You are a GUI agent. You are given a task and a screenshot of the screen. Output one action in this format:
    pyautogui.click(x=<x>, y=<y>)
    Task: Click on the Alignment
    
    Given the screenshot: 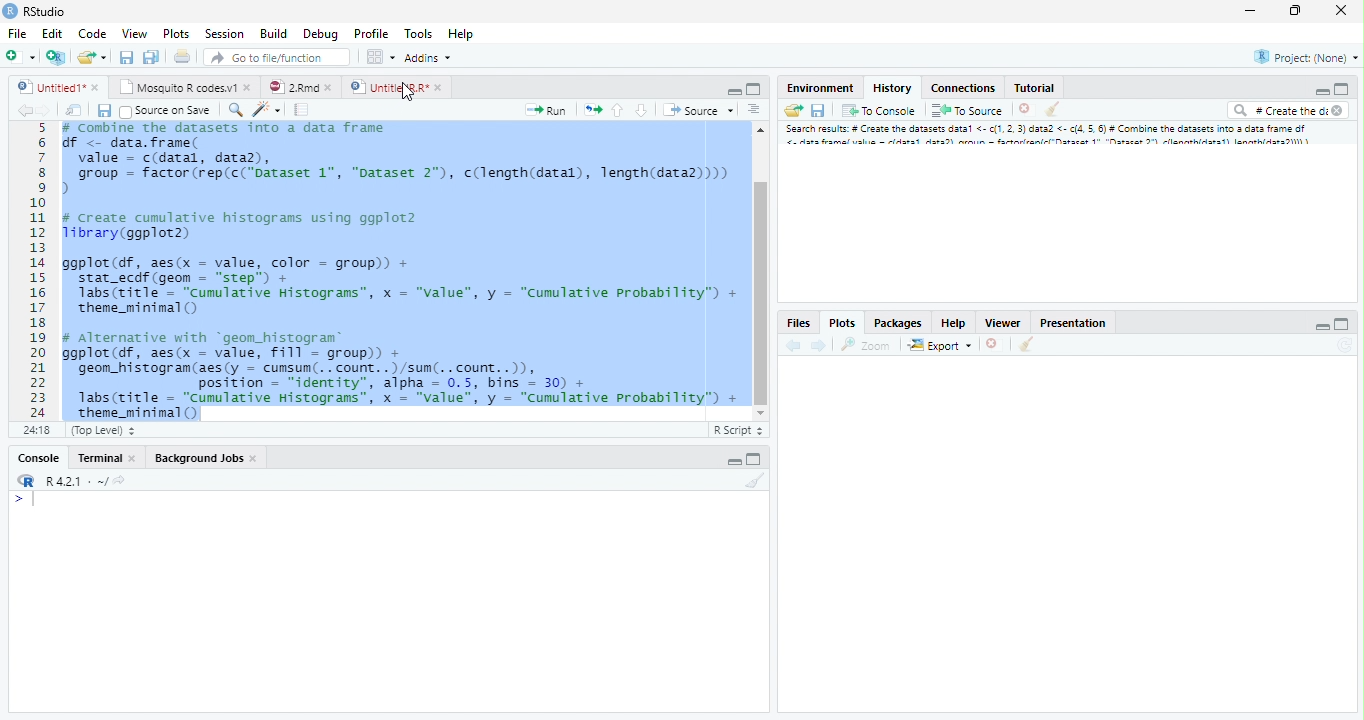 What is the action you would take?
    pyautogui.click(x=755, y=113)
    